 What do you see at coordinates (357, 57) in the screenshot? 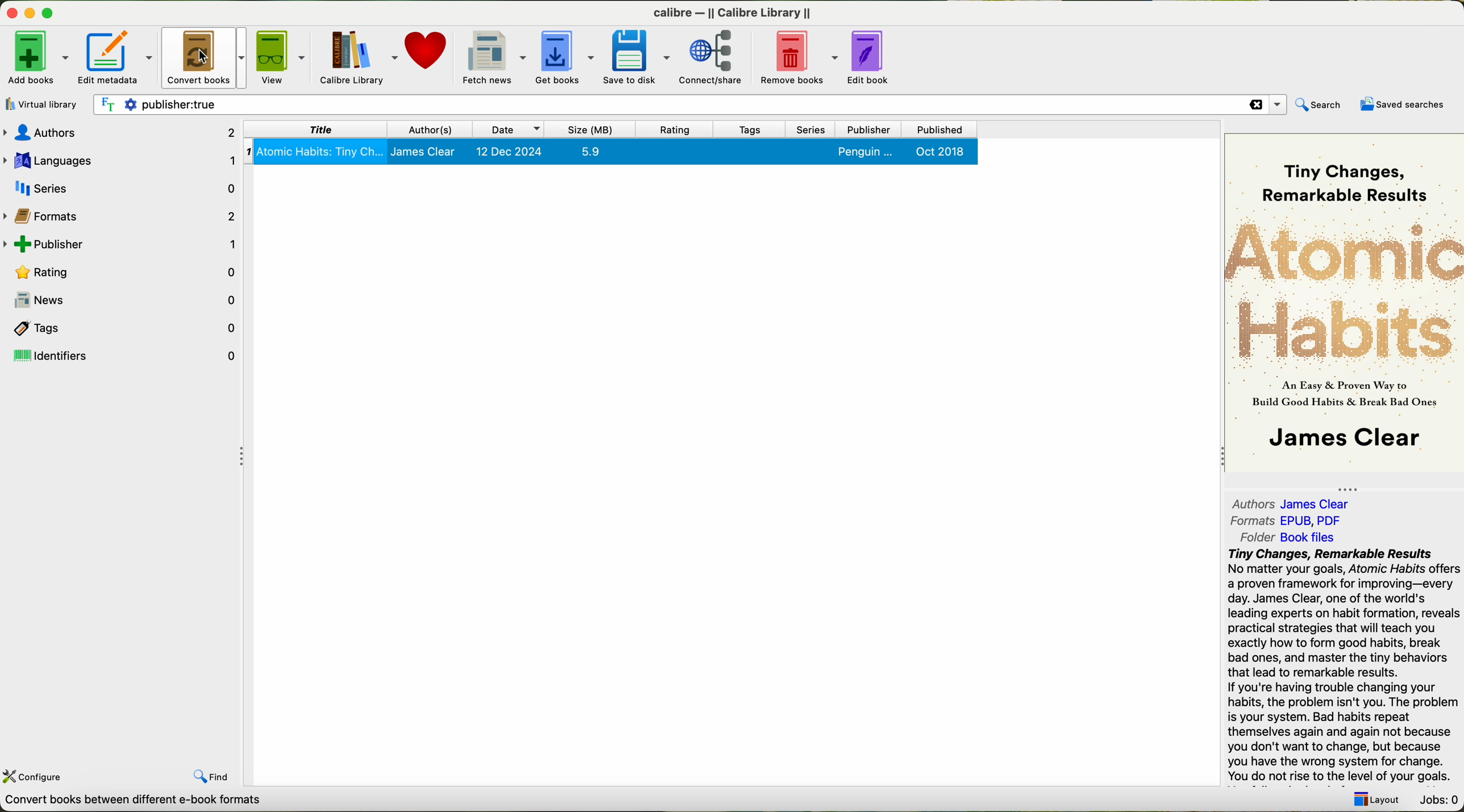
I see `Calibre library` at bounding box center [357, 57].